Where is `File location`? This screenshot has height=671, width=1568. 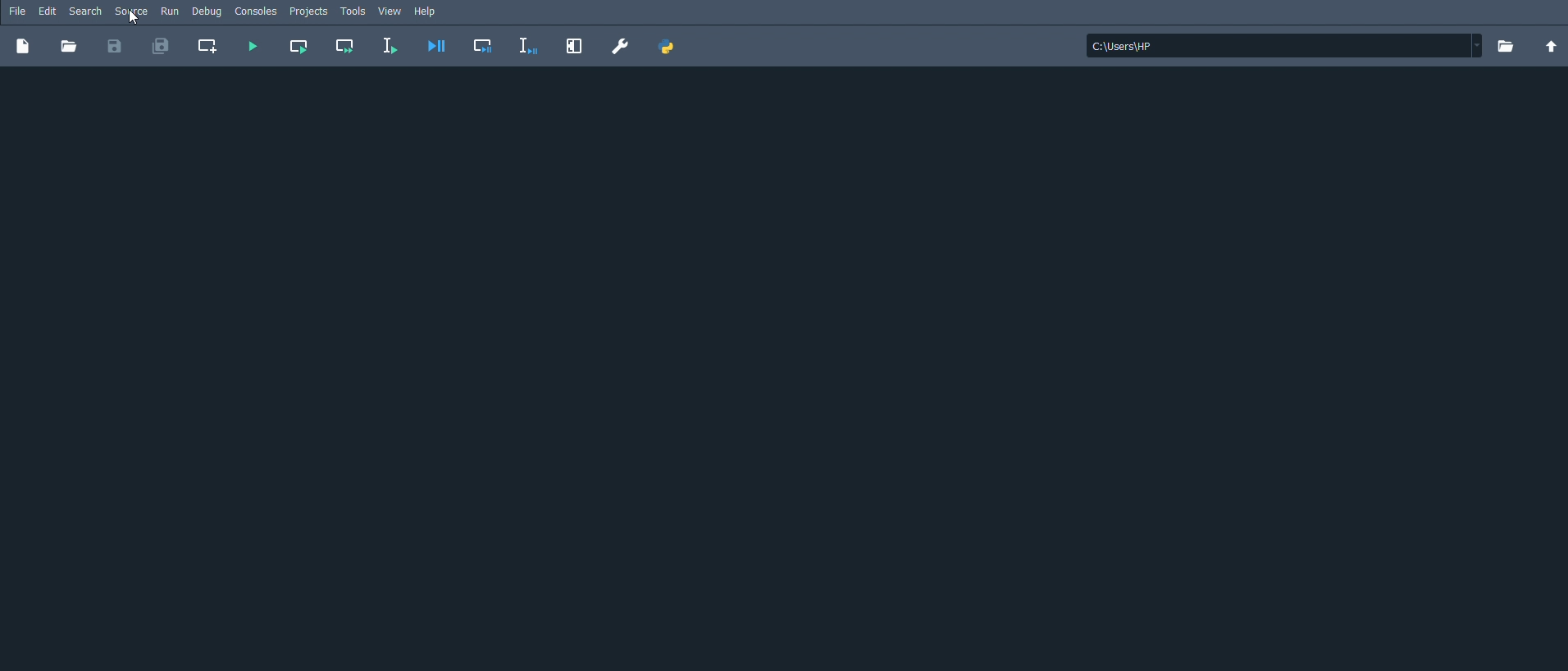
File location is located at coordinates (1283, 46).